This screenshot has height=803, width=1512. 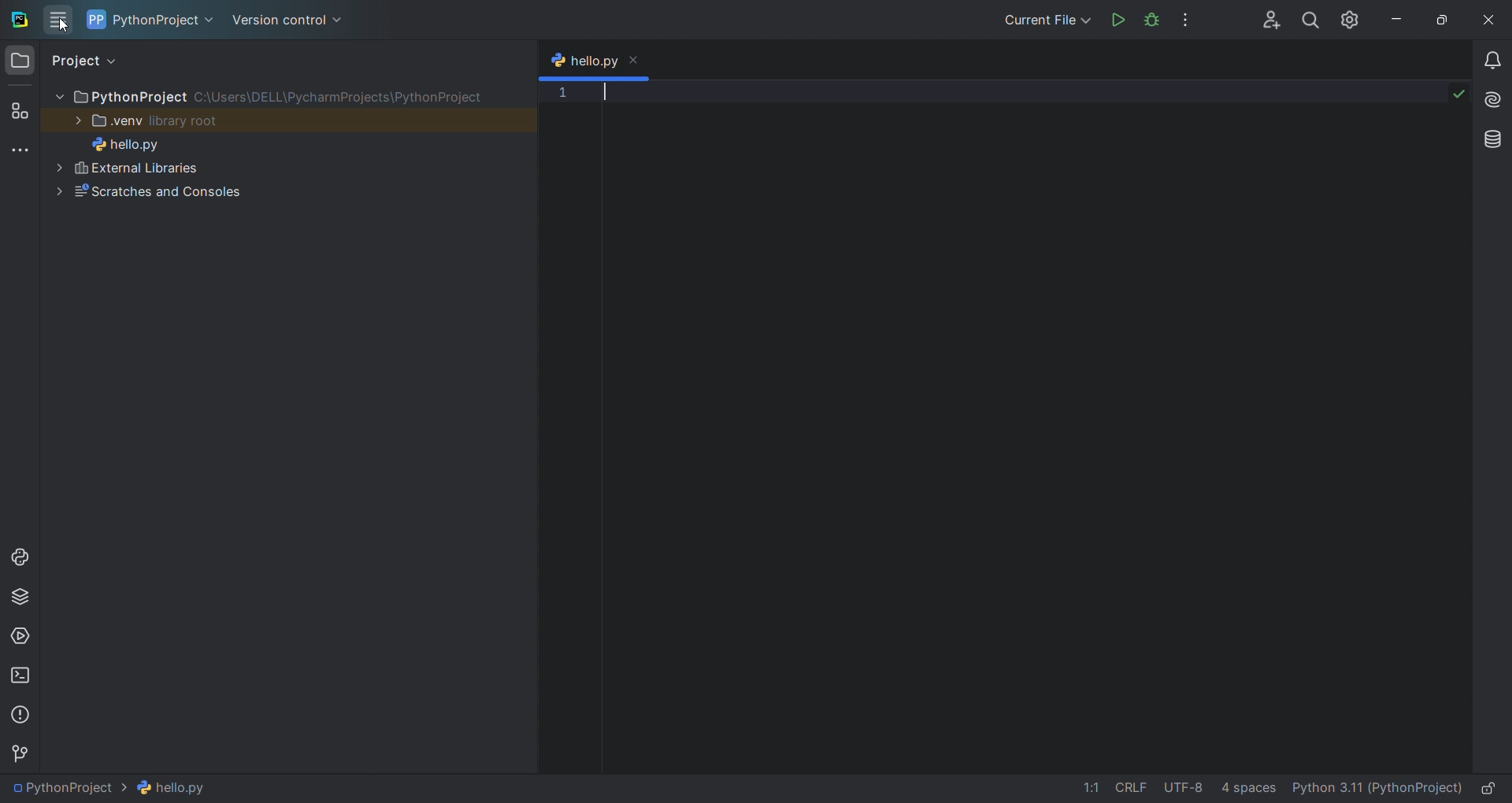 I want to click on close, so click(x=1488, y=19).